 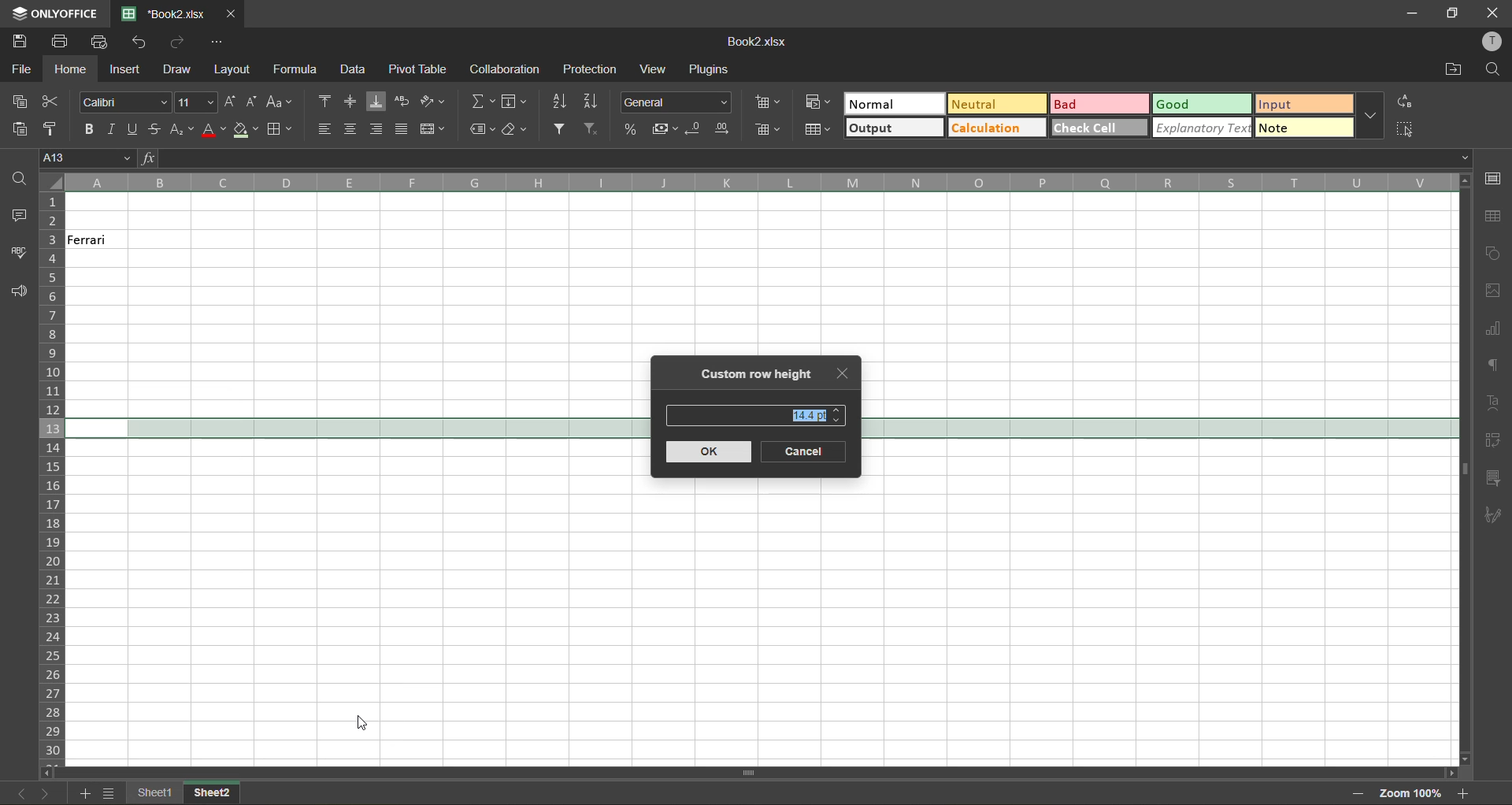 What do you see at coordinates (667, 131) in the screenshot?
I see `accounting` at bounding box center [667, 131].